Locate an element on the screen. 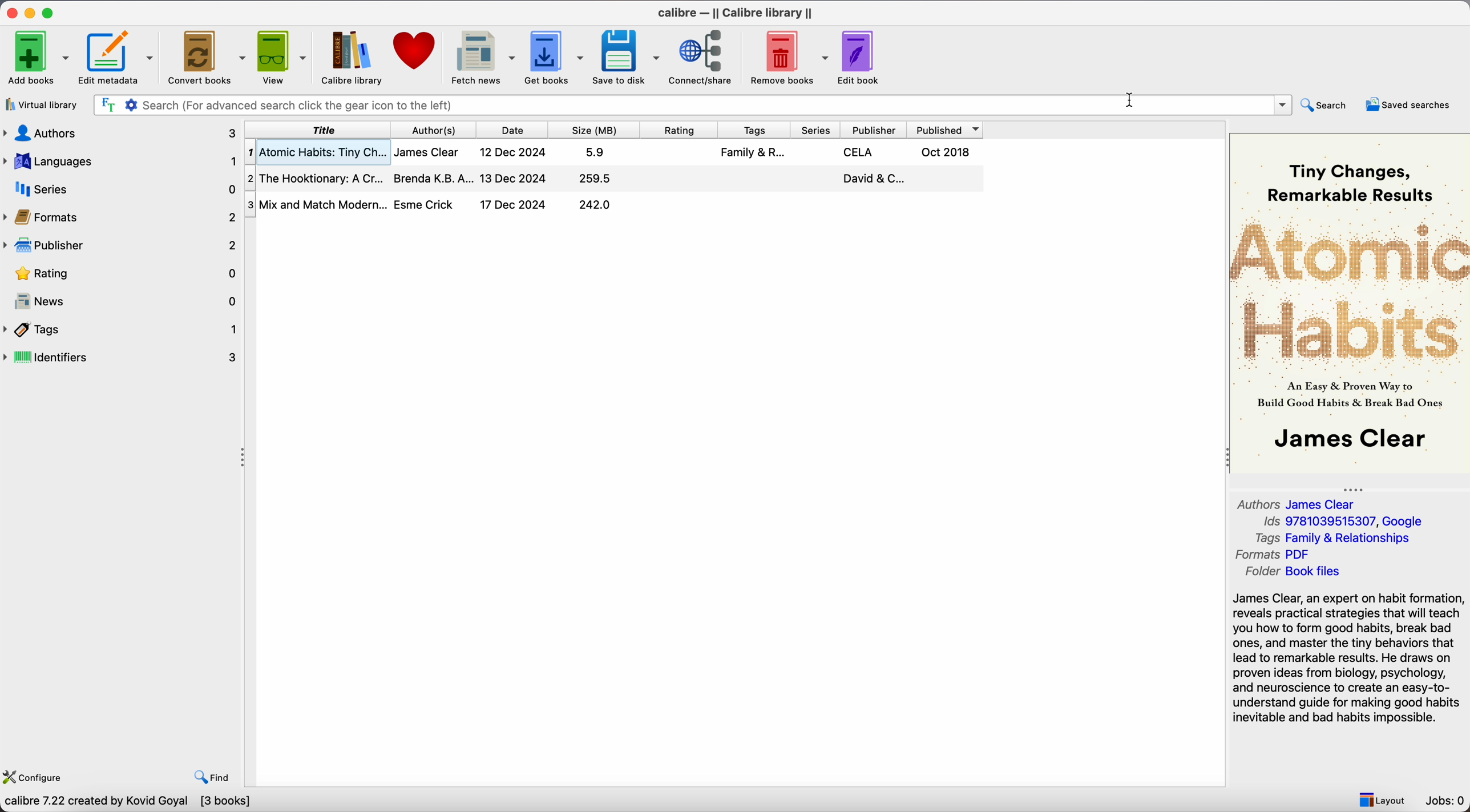  save to disk is located at coordinates (625, 56).